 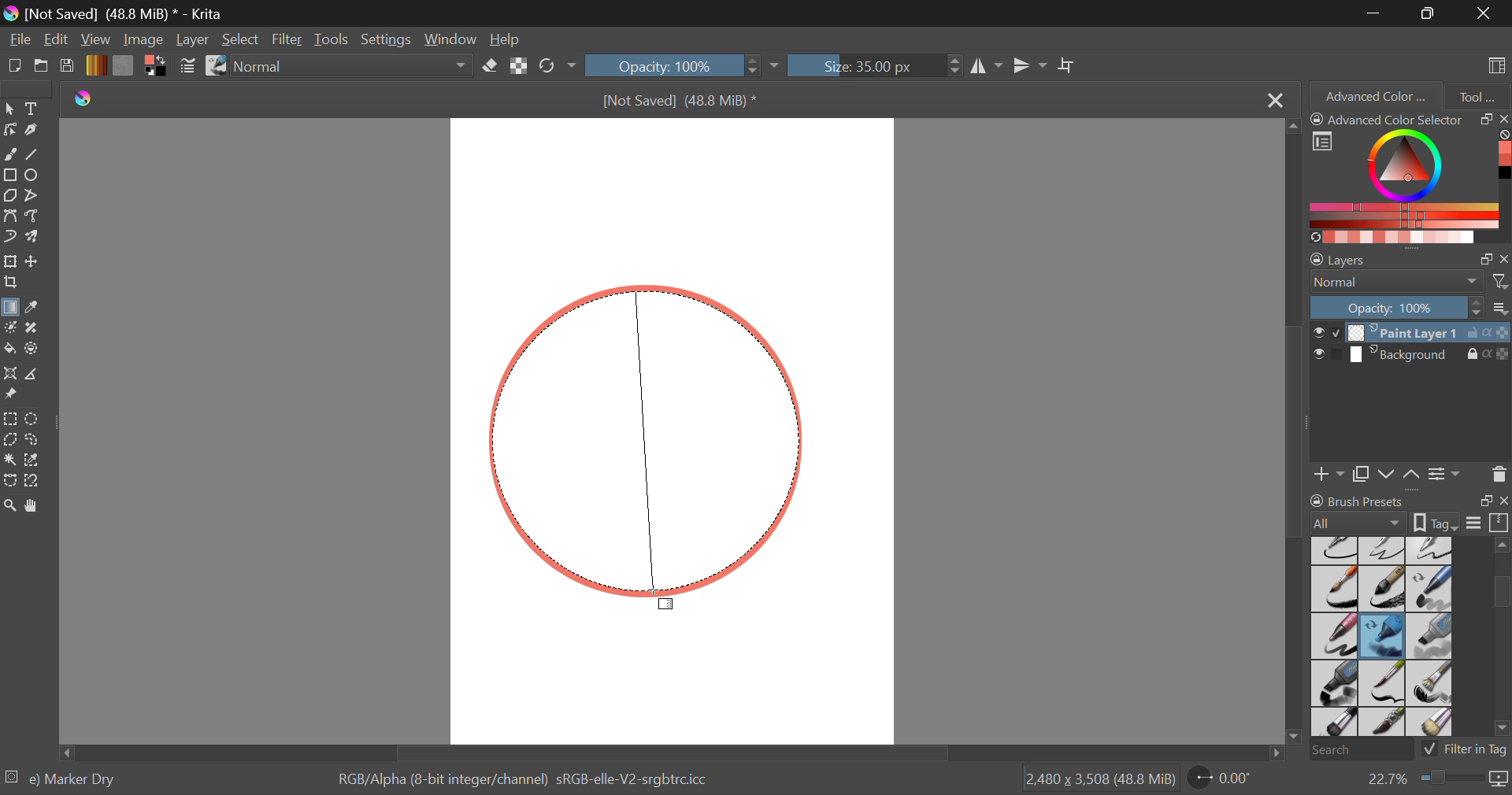 What do you see at coordinates (15, 68) in the screenshot?
I see `New` at bounding box center [15, 68].